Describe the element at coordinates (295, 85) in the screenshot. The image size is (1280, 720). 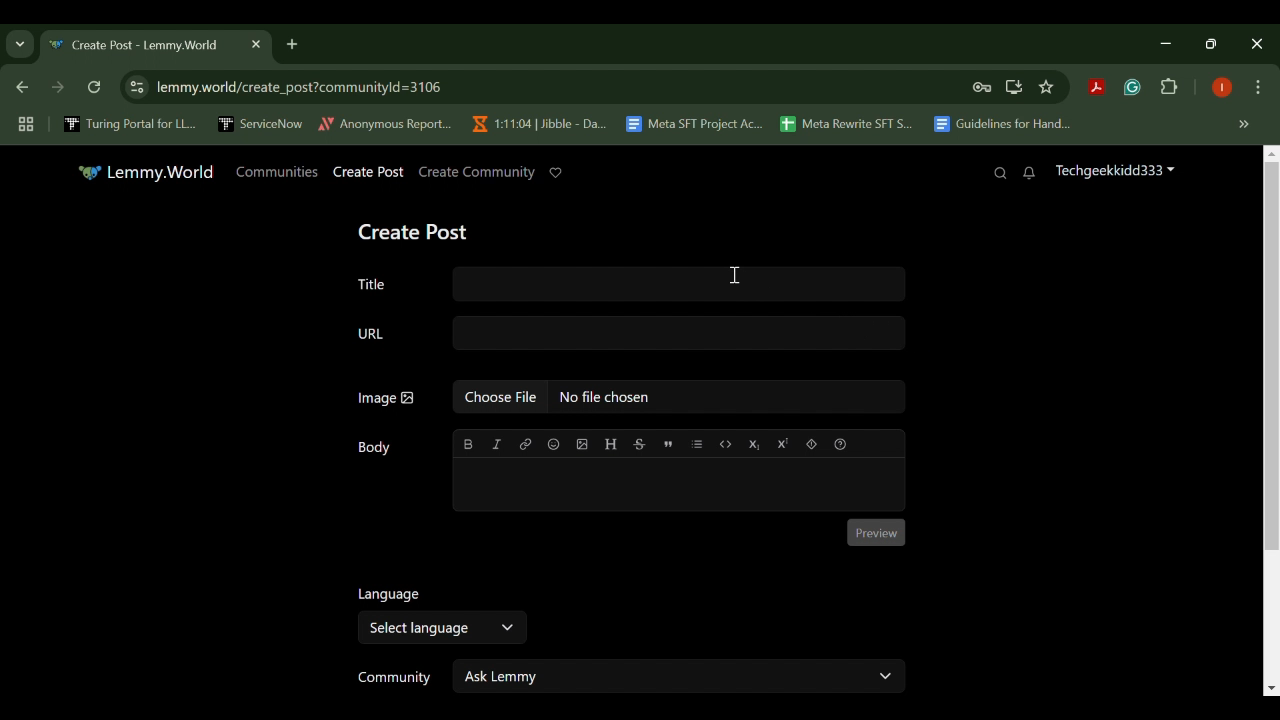
I see `lemmy.world/create_post?communityld=3106` at that location.